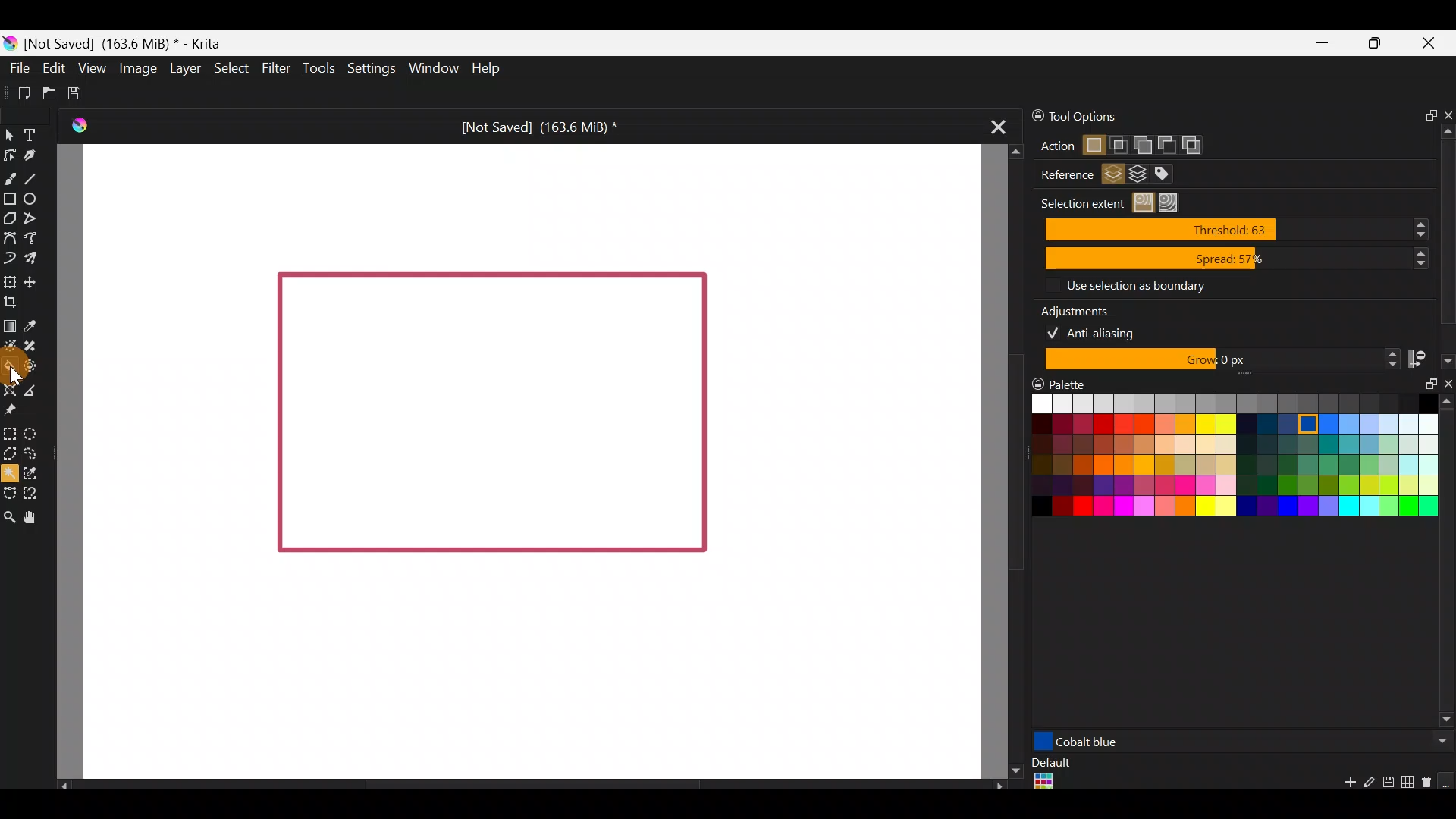 The width and height of the screenshot is (1456, 819). I want to click on Stop growing at the darkest/and or most opaque pixels, so click(1429, 358).